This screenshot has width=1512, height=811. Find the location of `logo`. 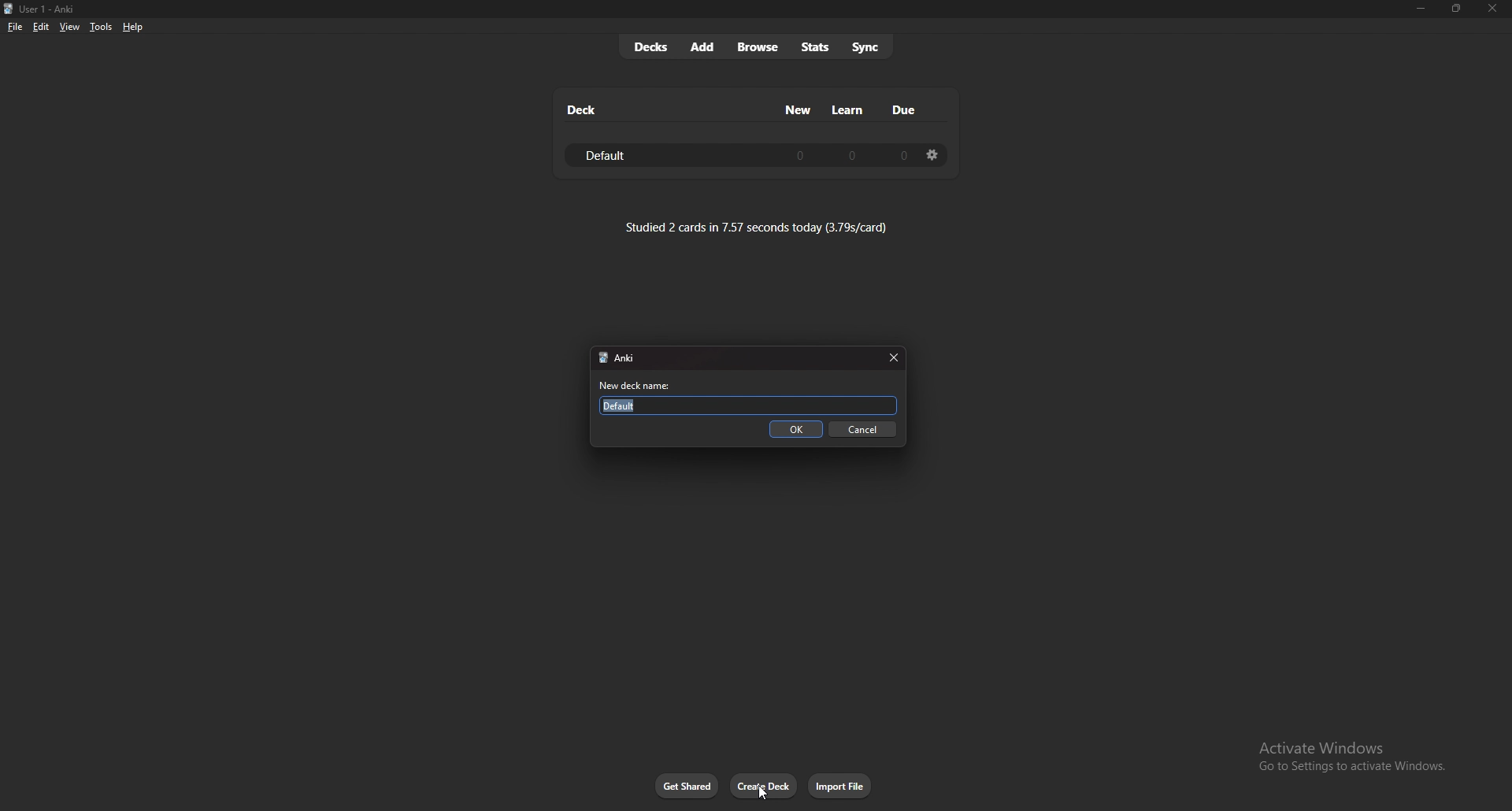

logo is located at coordinates (601, 358).